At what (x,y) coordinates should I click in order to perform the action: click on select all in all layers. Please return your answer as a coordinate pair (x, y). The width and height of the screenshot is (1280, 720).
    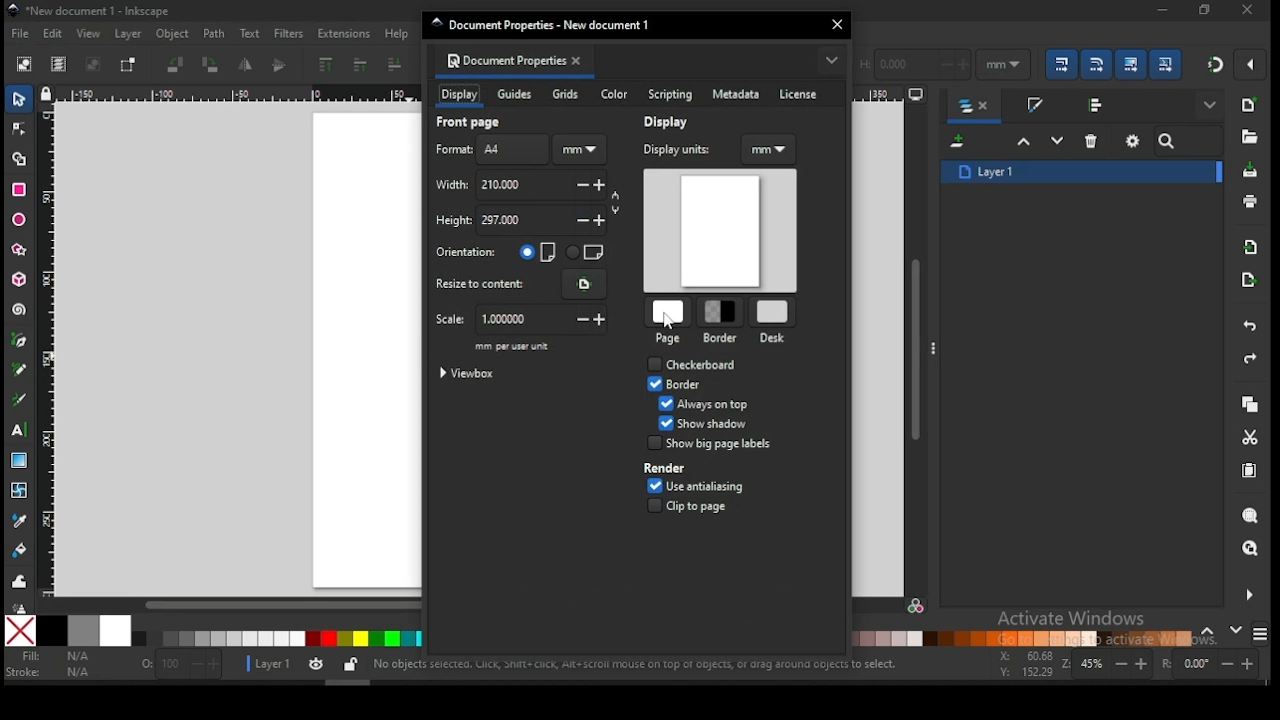
    Looking at the image, I should click on (59, 65).